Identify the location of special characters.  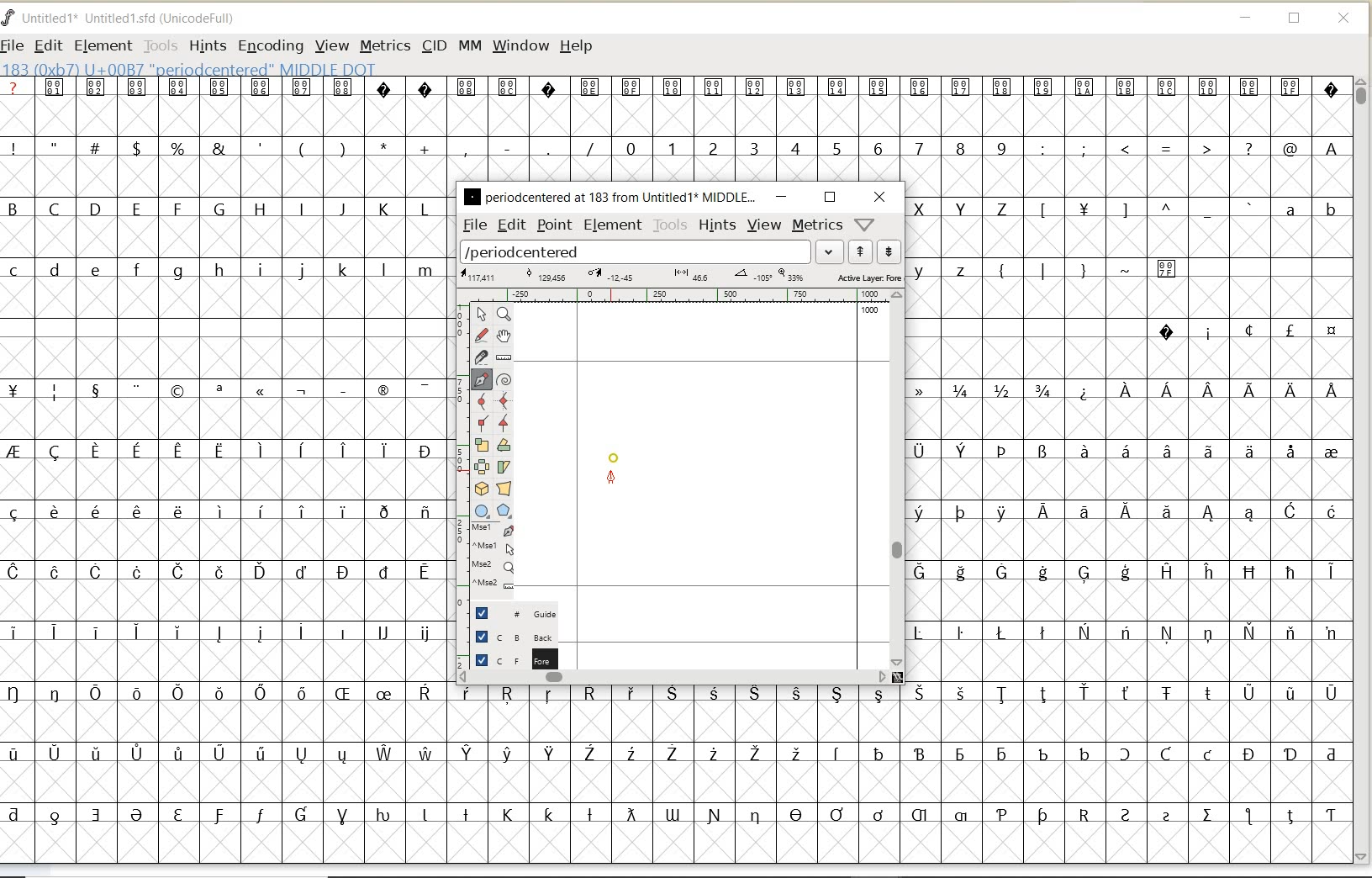
(673, 98).